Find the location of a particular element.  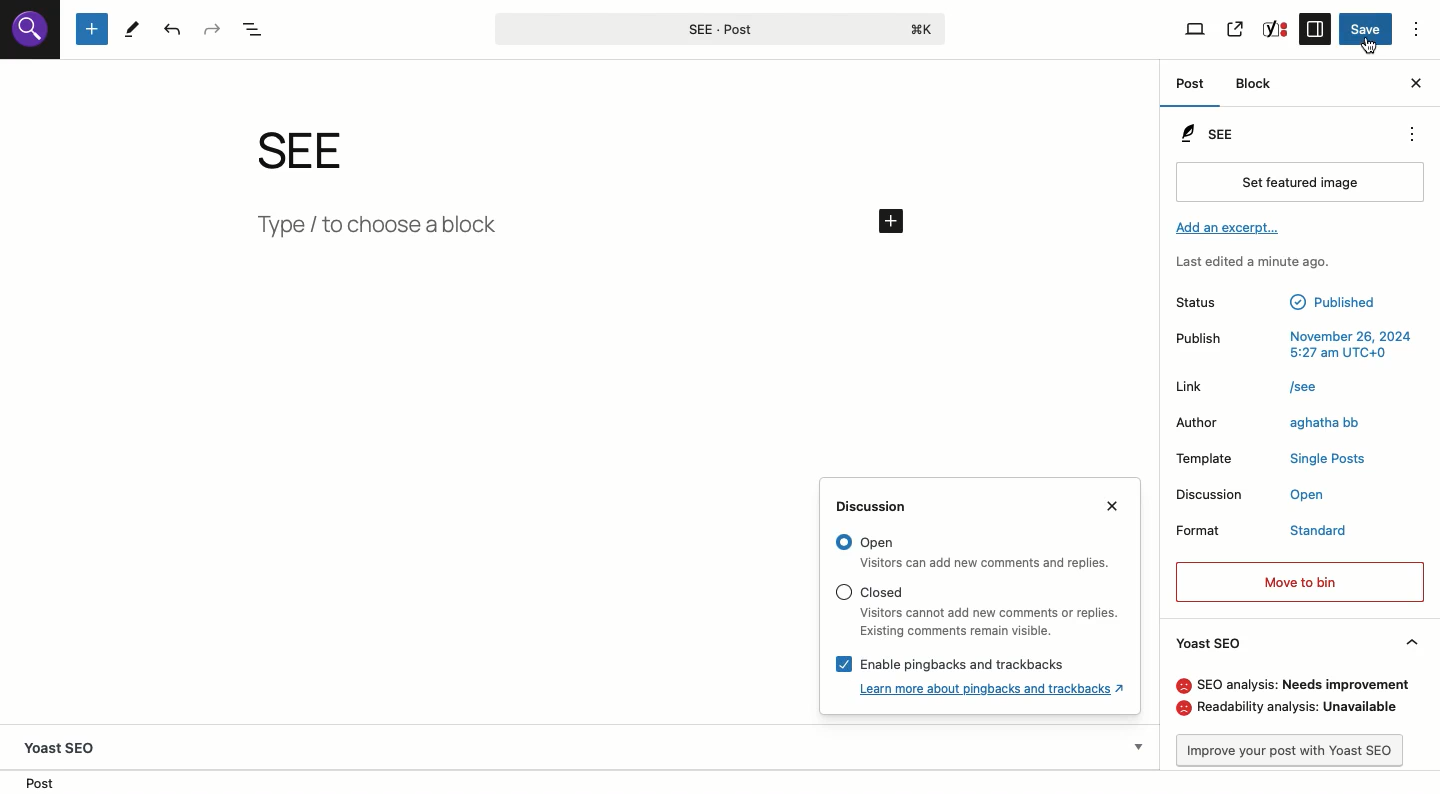

Tools is located at coordinates (133, 30).